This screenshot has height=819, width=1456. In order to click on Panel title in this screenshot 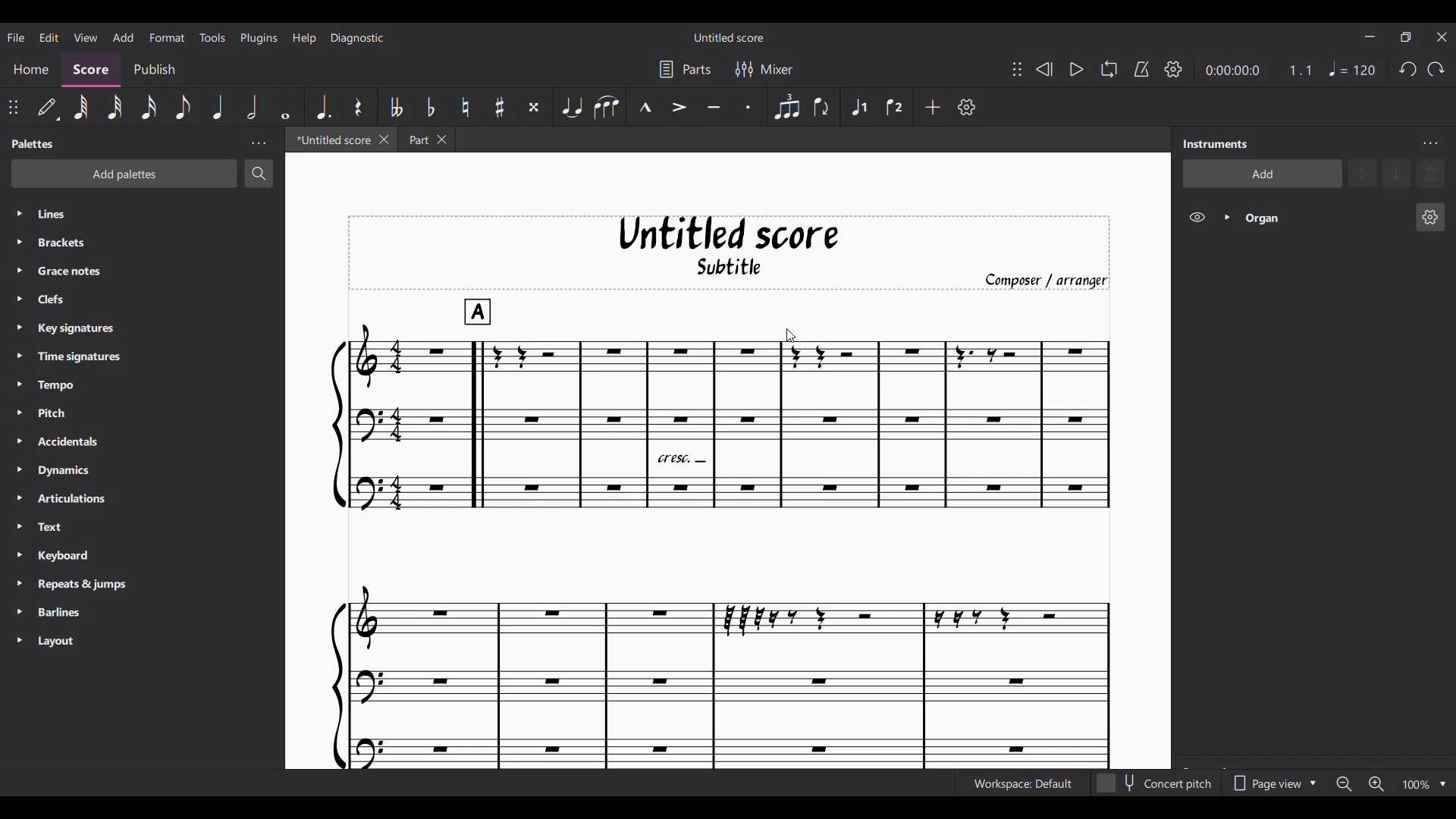, I will do `click(34, 143)`.